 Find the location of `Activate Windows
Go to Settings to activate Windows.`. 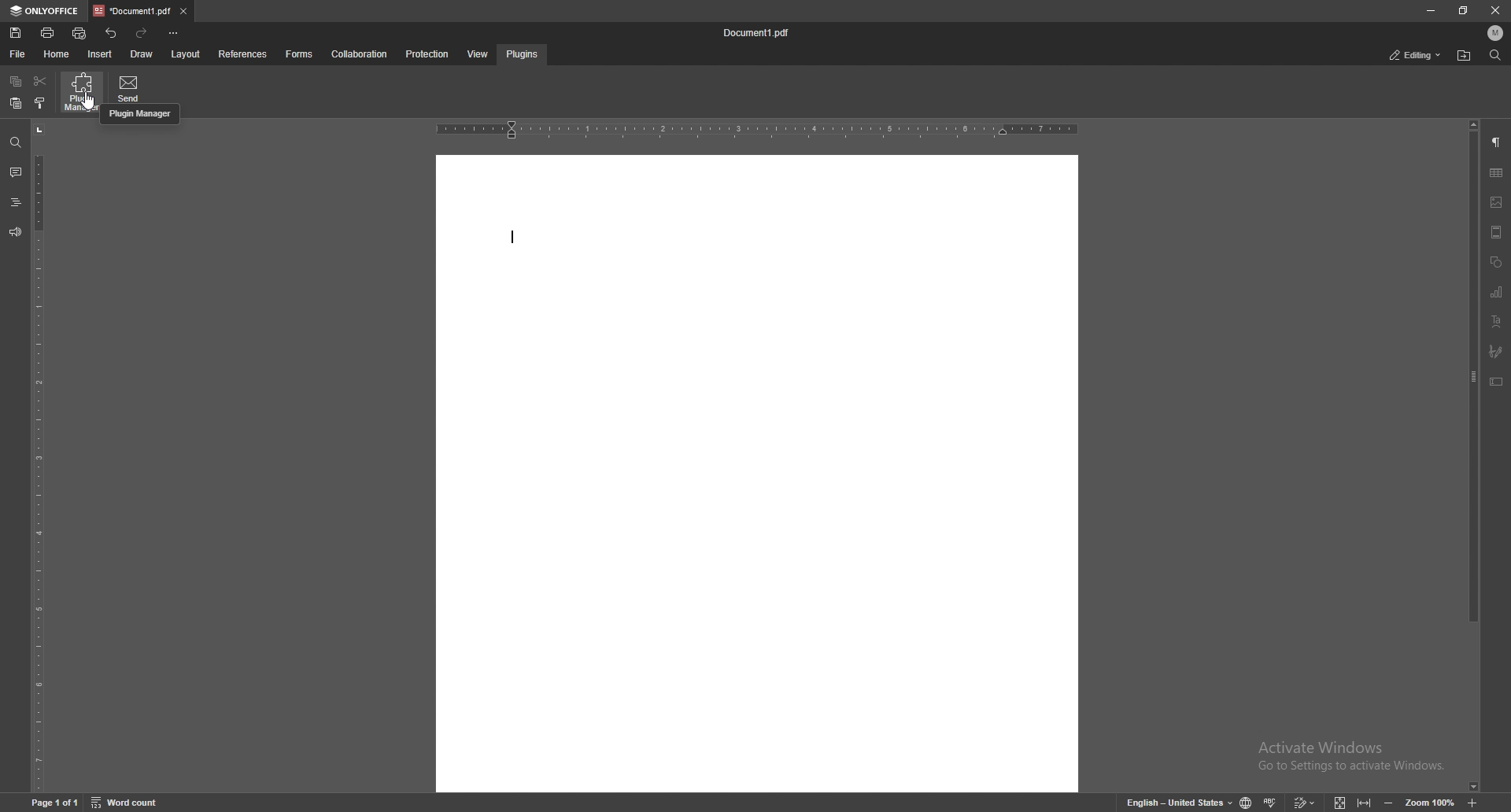

Activate Windows
Go to Settings to activate Windows. is located at coordinates (1350, 755).